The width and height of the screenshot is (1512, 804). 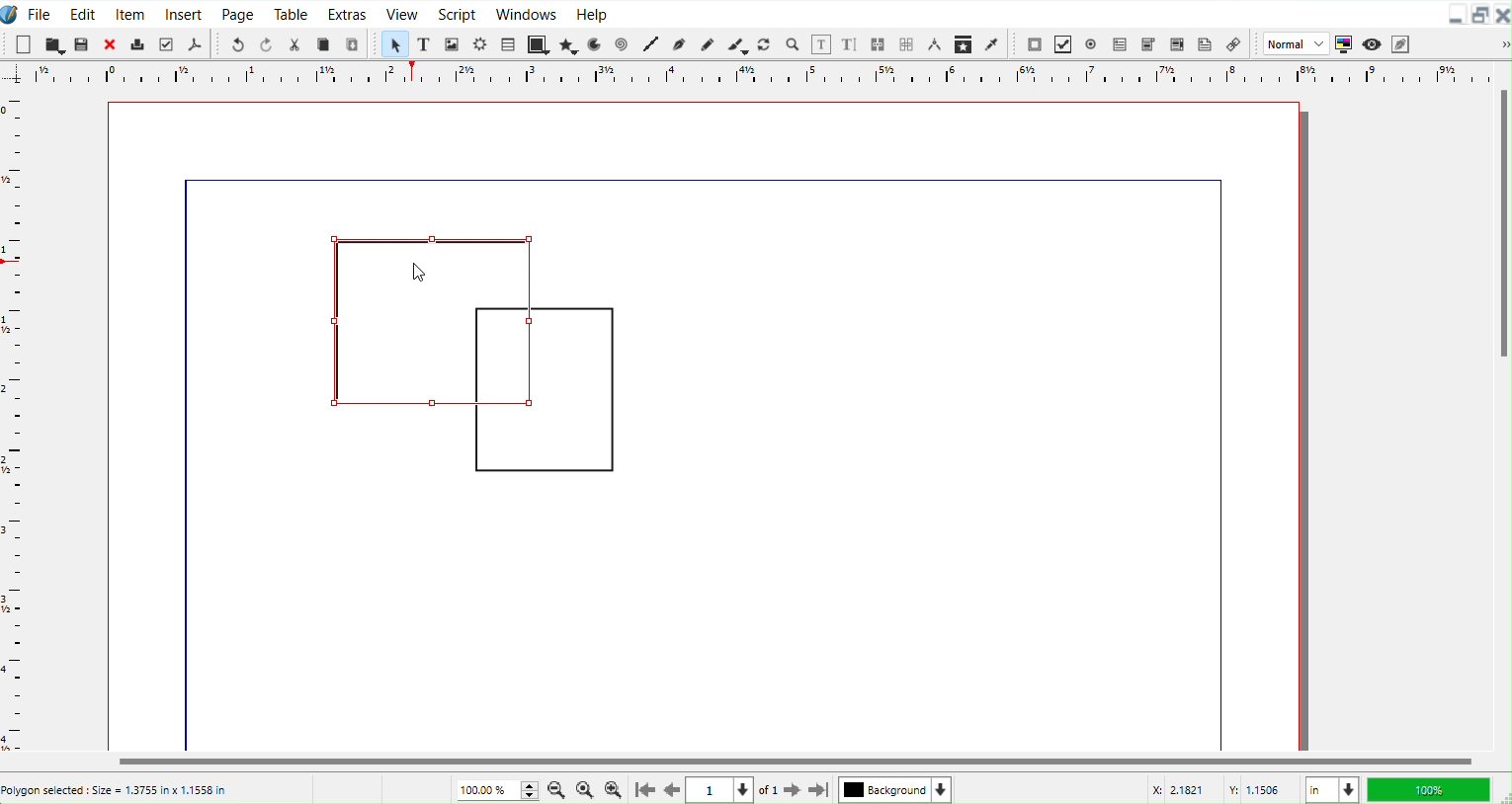 What do you see at coordinates (41, 13) in the screenshot?
I see `File` at bounding box center [41, 13].